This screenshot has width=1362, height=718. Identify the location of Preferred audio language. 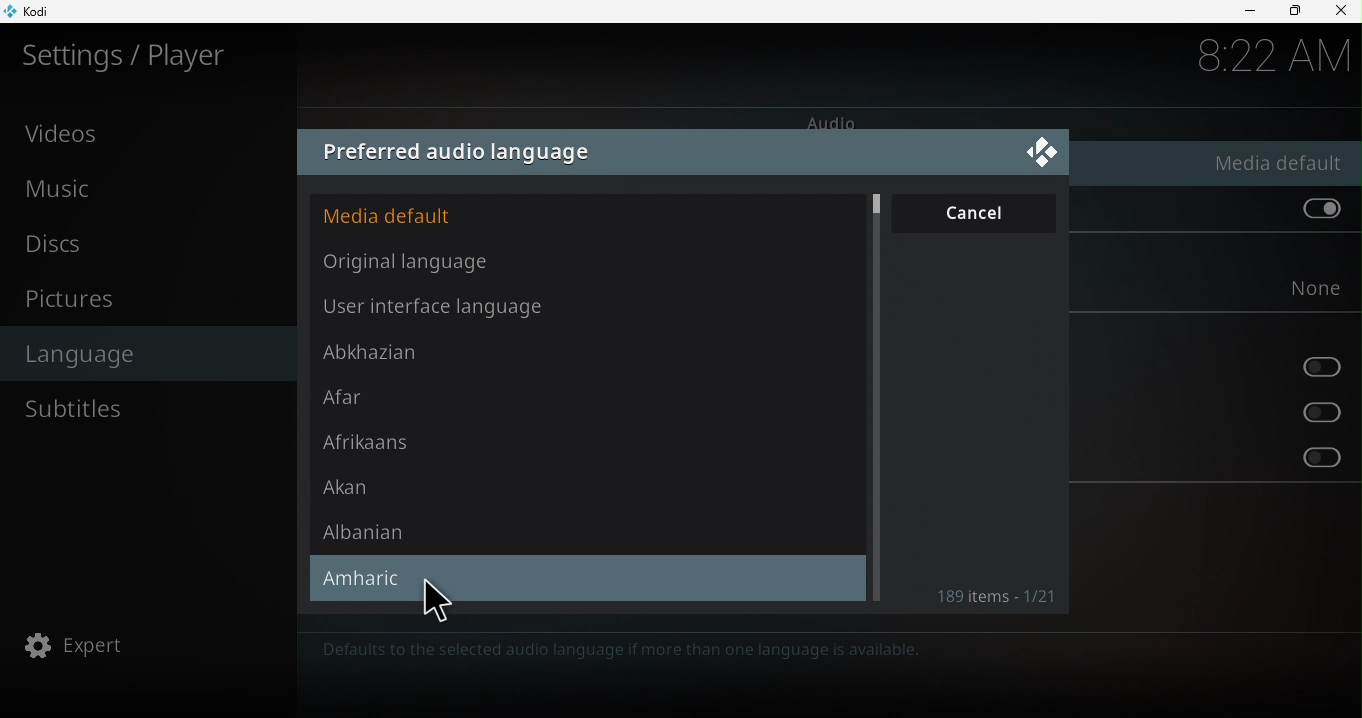
(1228, 164).